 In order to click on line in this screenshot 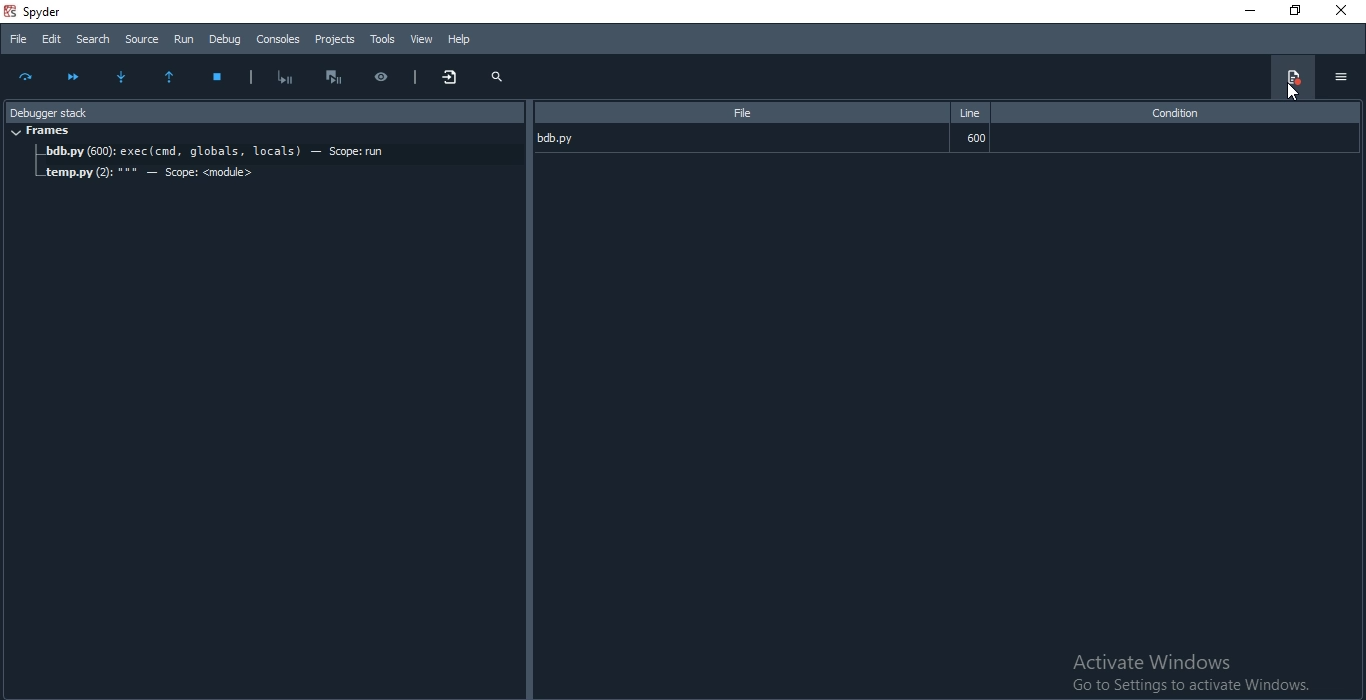, I will do `click(970, 110)`.